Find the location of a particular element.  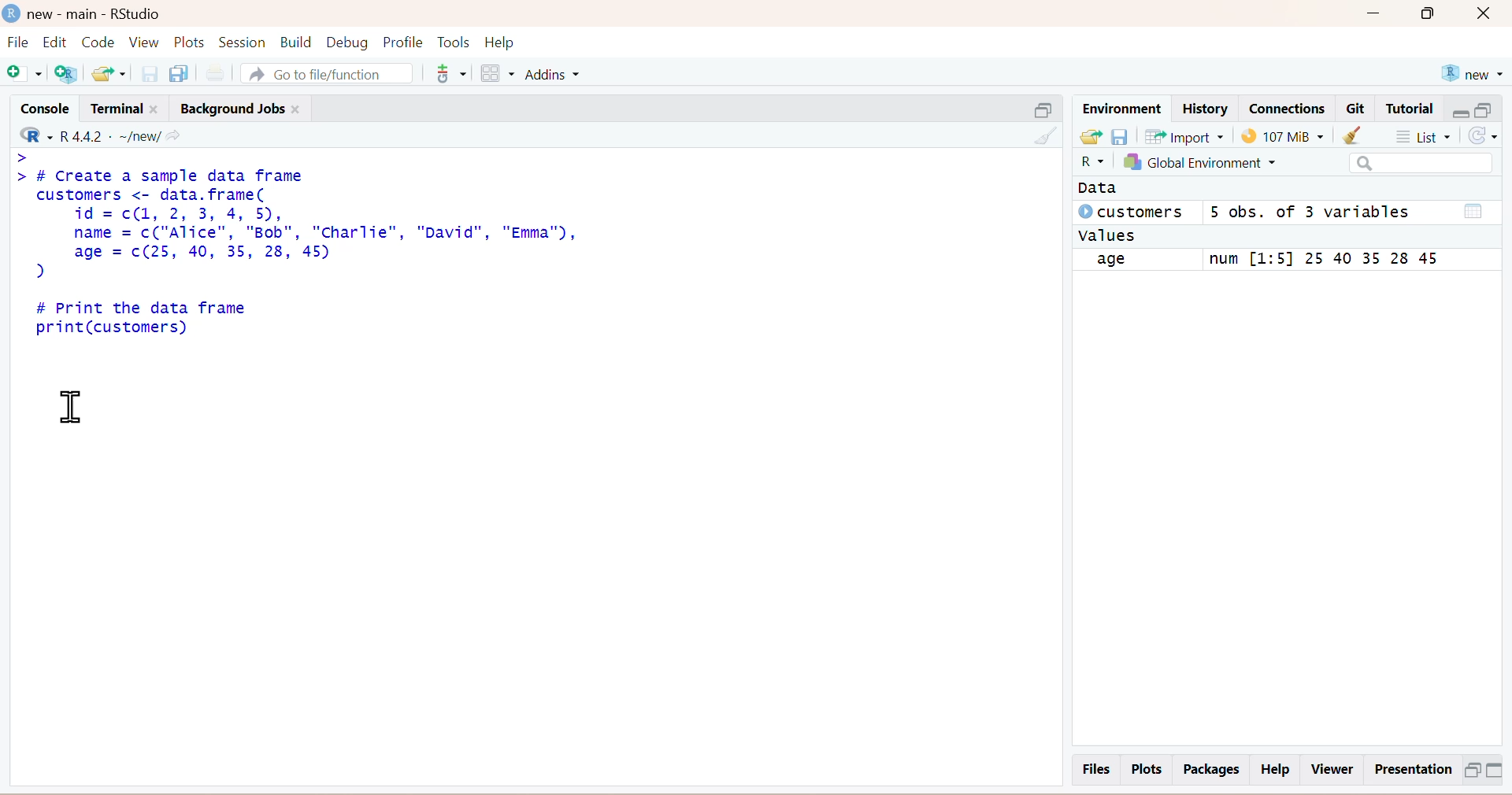

Tutorial is located at coordinates (1412, 109).